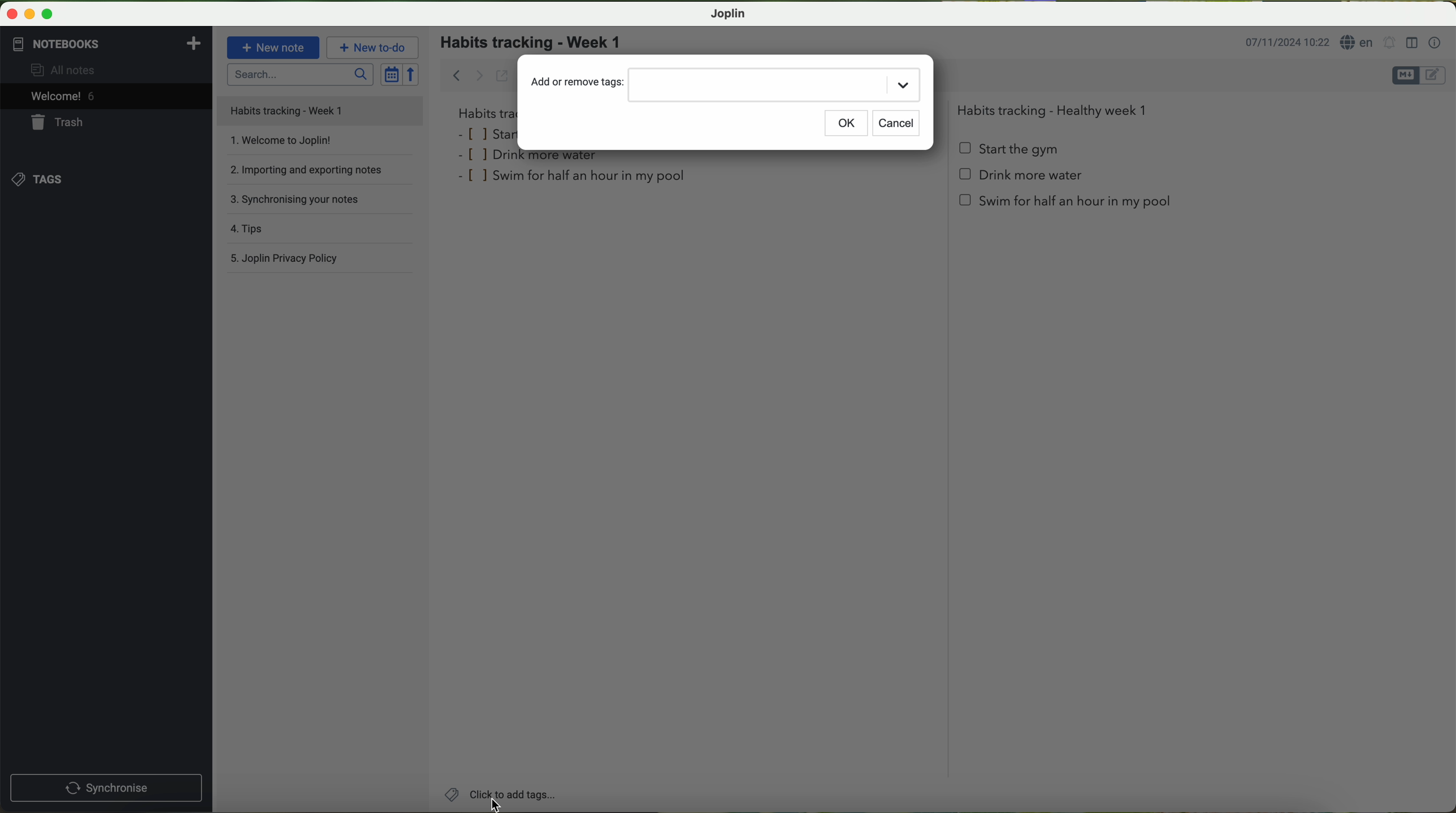 Image resolution: width=1456 pixels, height=813 pixels. I want to click on synchronising your notes, so click(324, 203).